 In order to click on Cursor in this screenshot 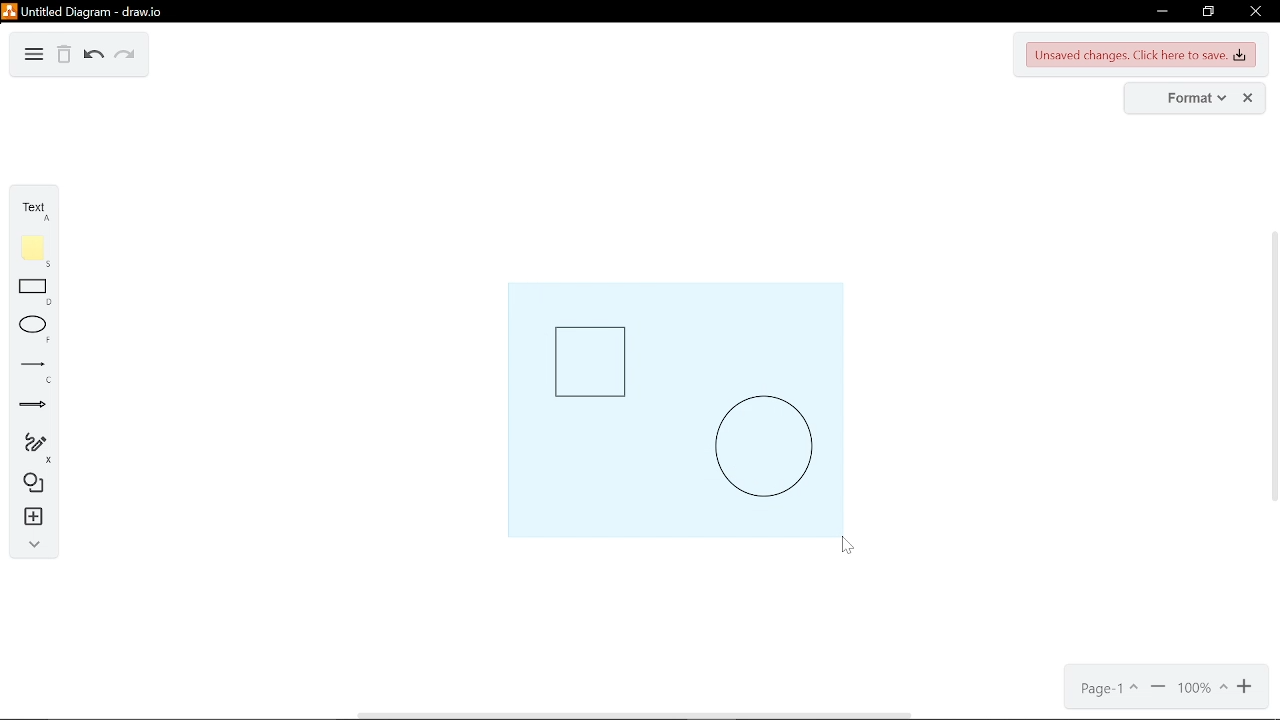, I will do `click(851, 550)`.